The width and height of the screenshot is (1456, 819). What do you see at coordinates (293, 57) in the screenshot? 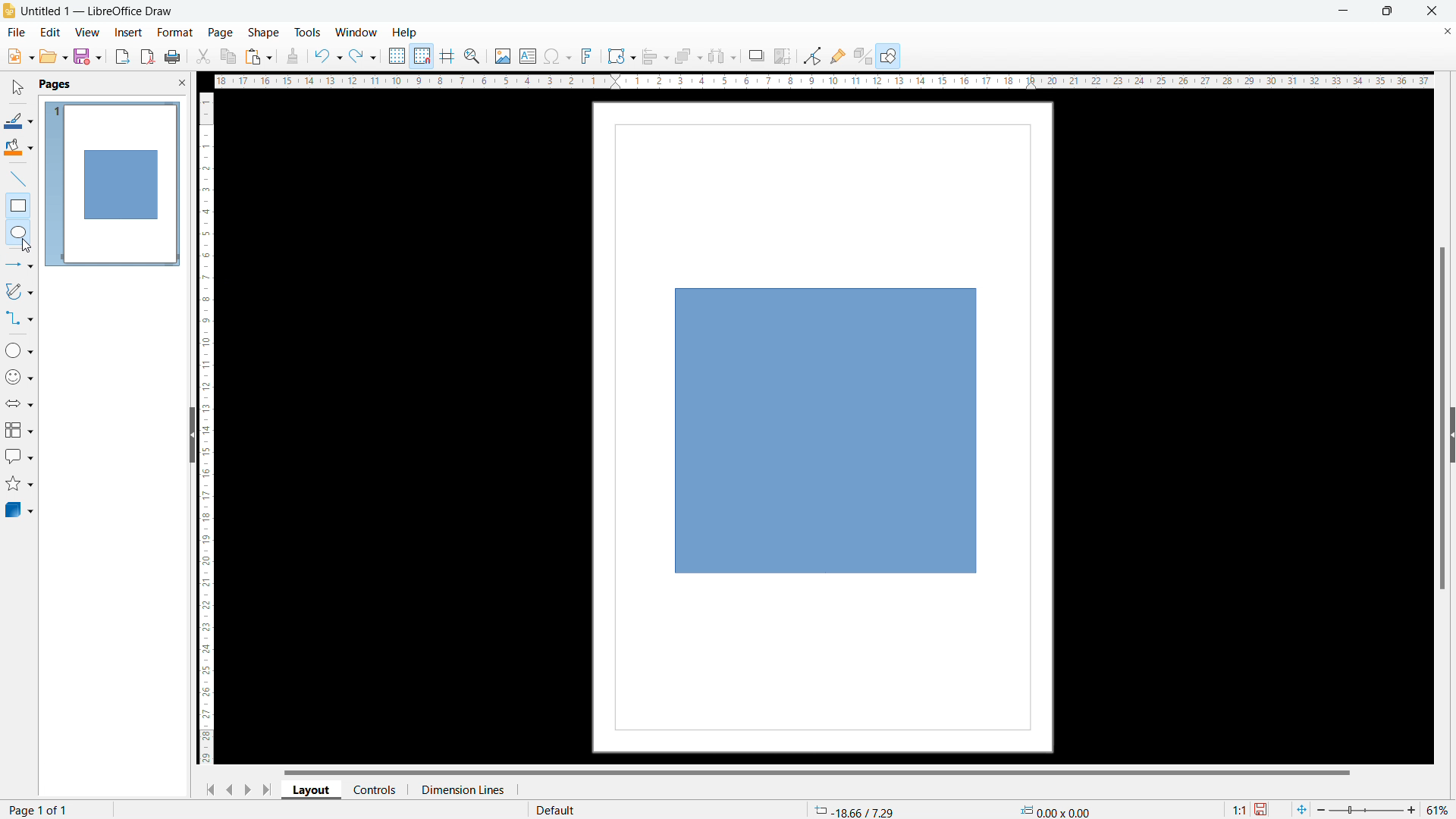
I see `clone formatting` at bounding box center [293, 57].